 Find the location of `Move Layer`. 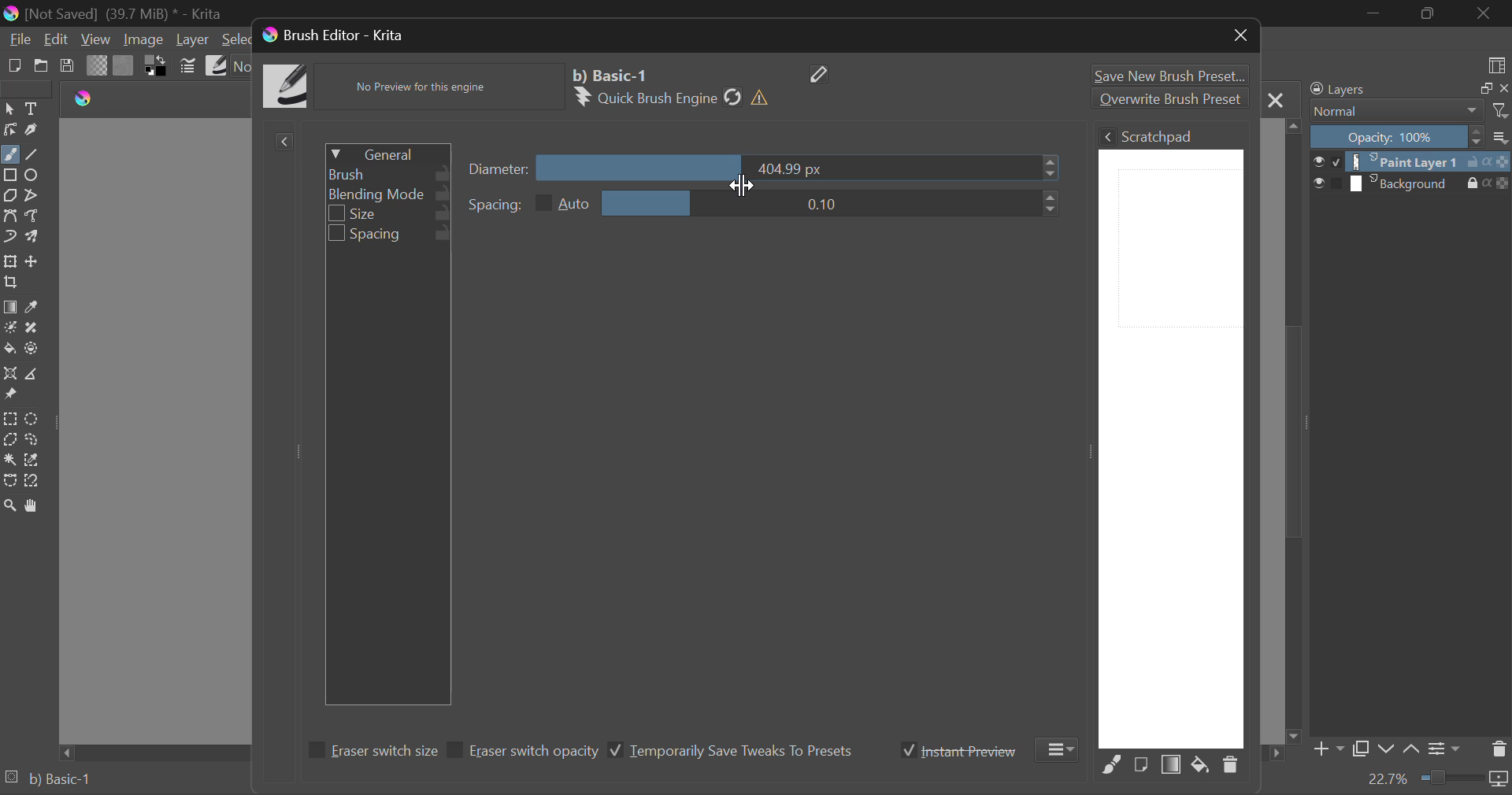

Move Layer is located at coordinates (34, 261).